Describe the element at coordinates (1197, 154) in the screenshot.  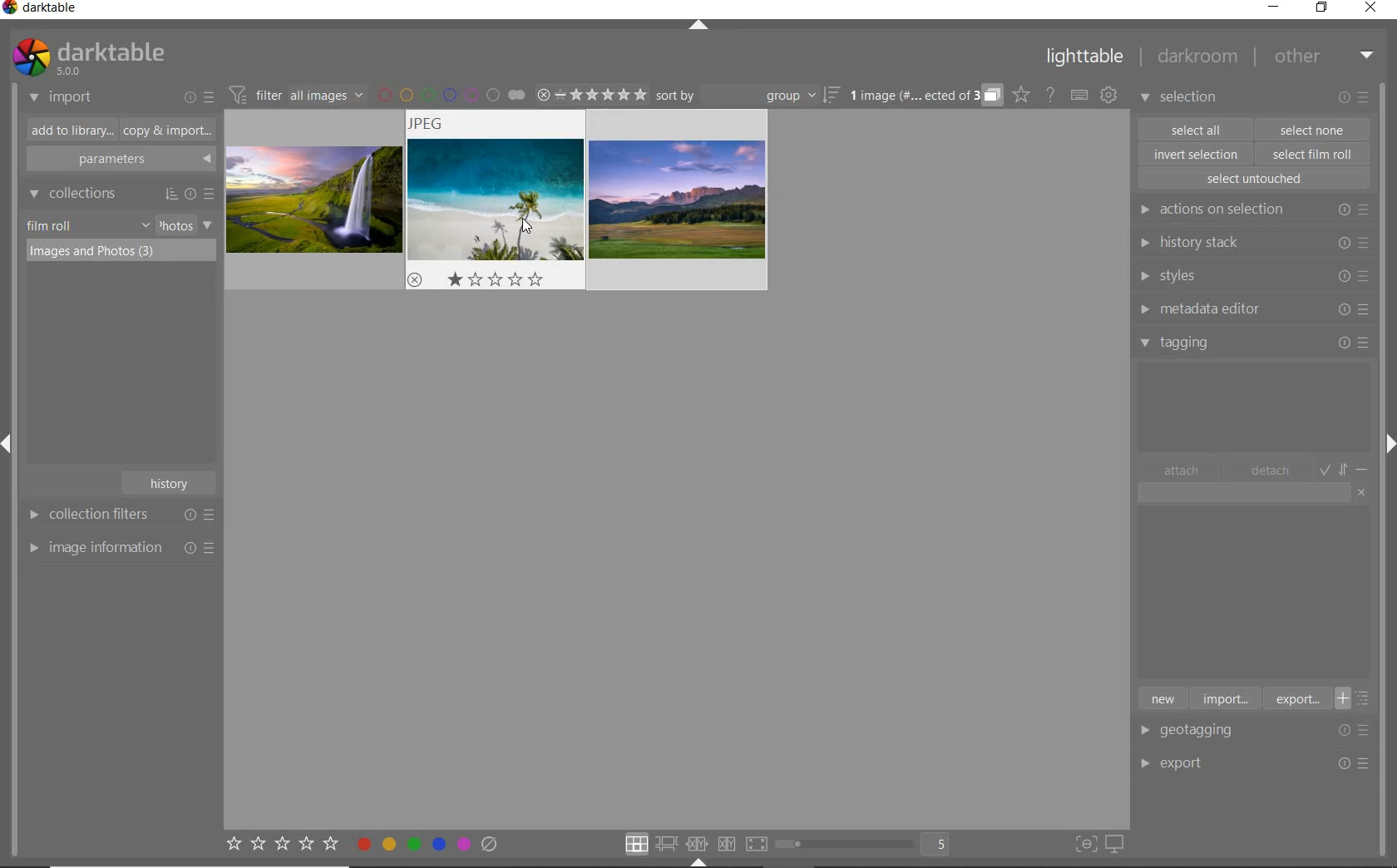
I see `invert selection` at that location.